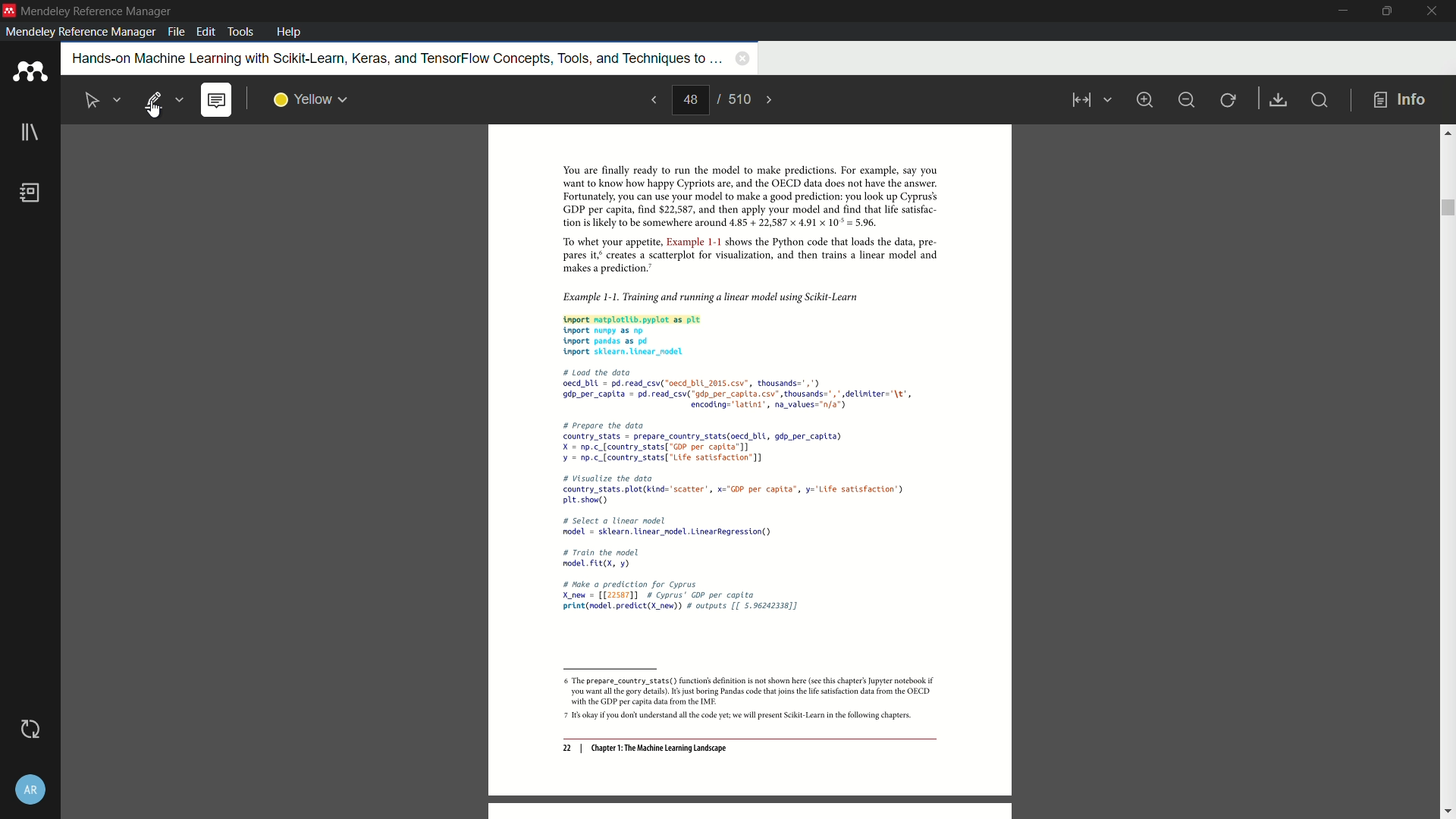 Image resolution: width=1456 pixels, height=819 pixels. Describe the element at coordinates (690, 100) in the screenshot. I see `current page` at that location.